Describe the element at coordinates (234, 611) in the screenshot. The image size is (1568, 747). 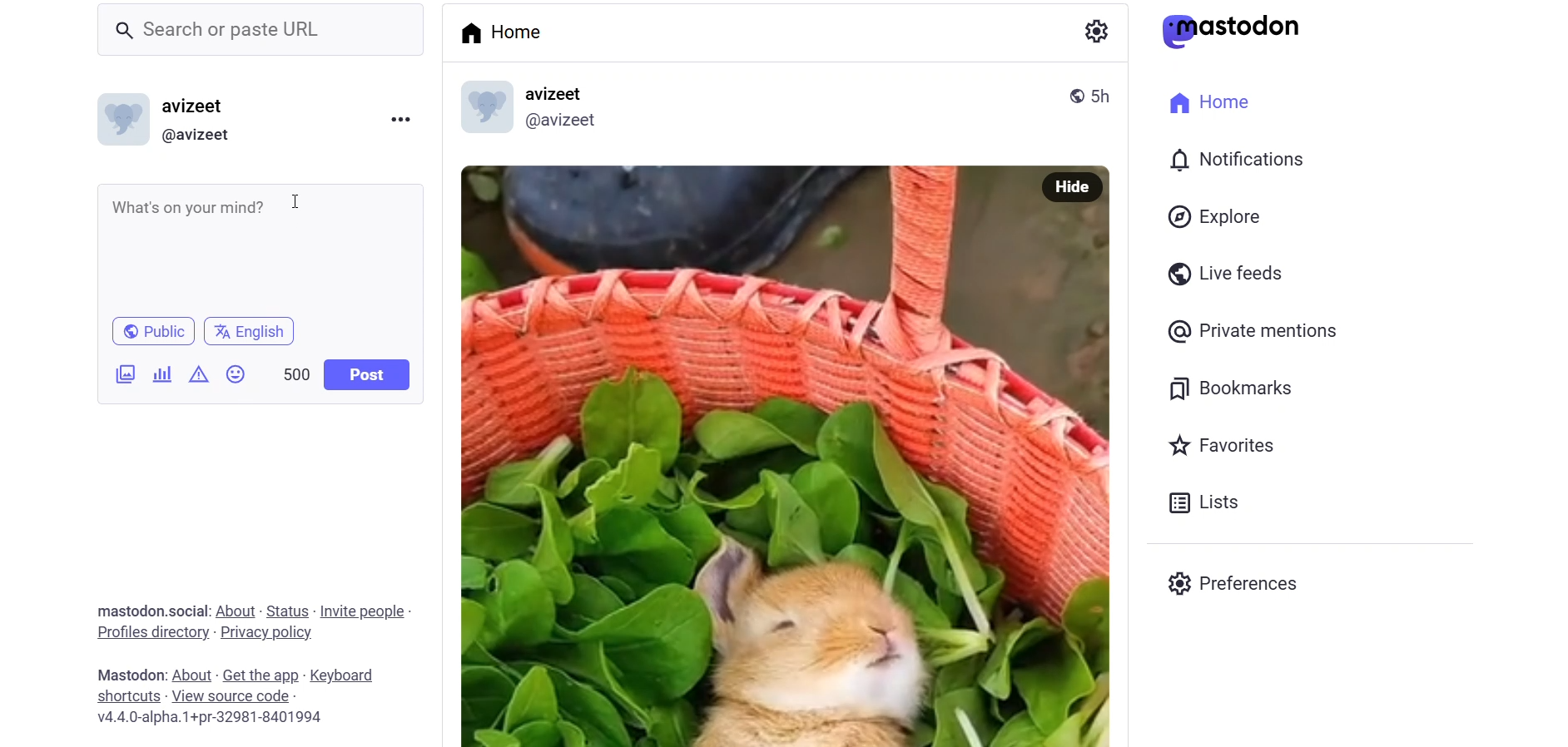
I see `about` at that location.